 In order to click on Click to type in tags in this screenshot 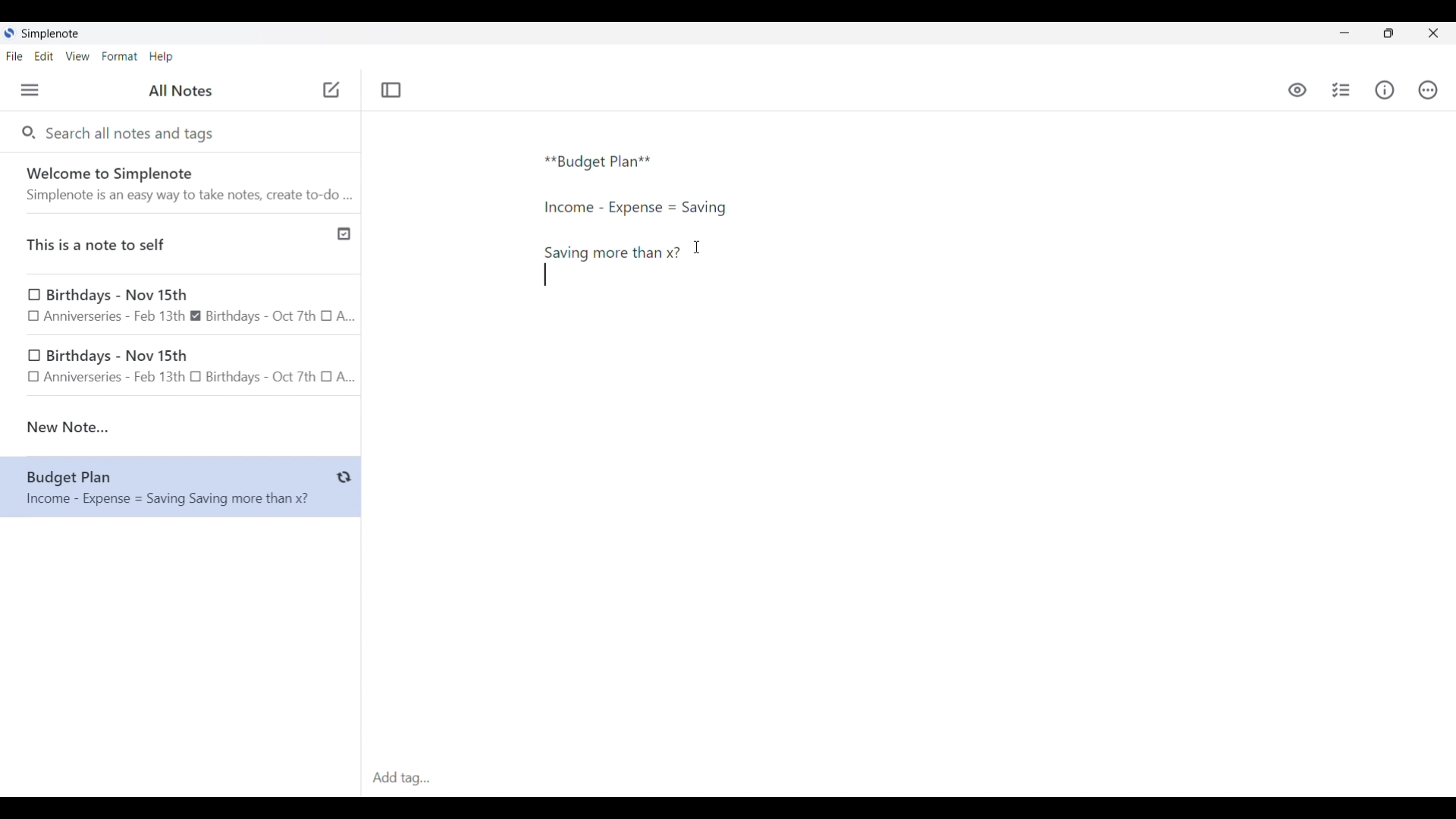, I will do `click(908, 779)`.